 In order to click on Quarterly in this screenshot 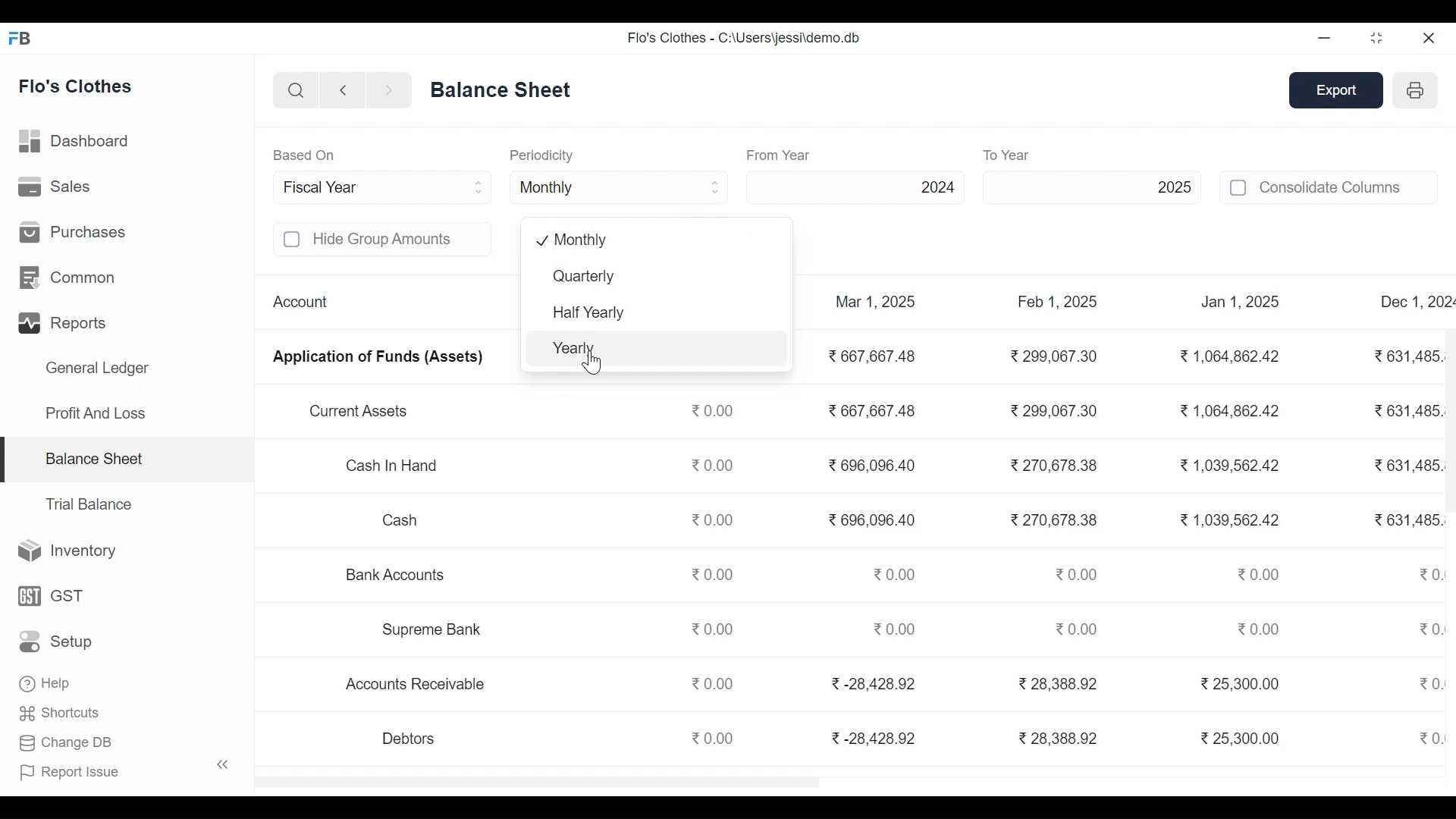, I will do `click(654, 278)`.